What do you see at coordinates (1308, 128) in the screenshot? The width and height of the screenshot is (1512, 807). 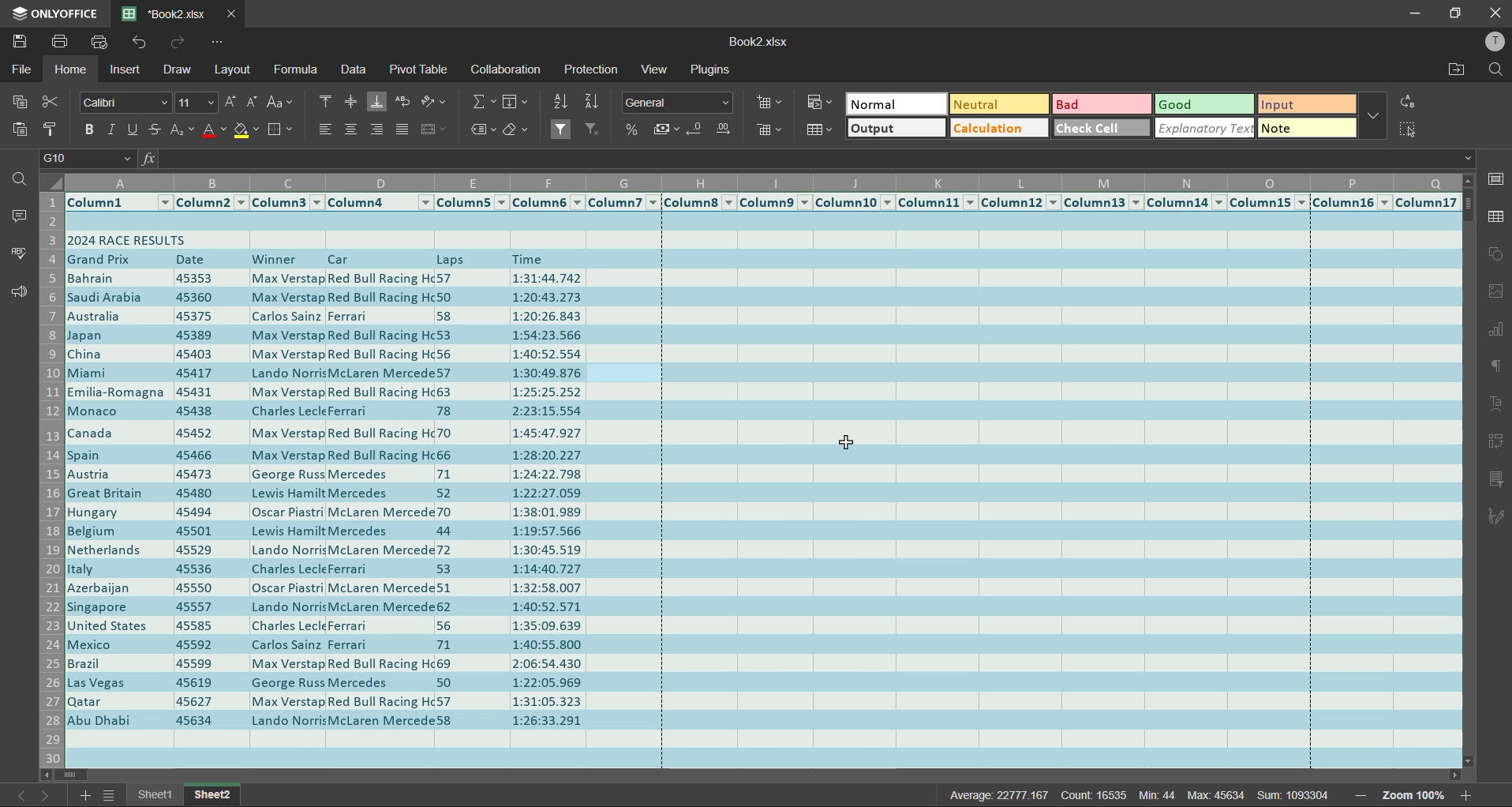 I see `note` at bounding box center [1308, 128].